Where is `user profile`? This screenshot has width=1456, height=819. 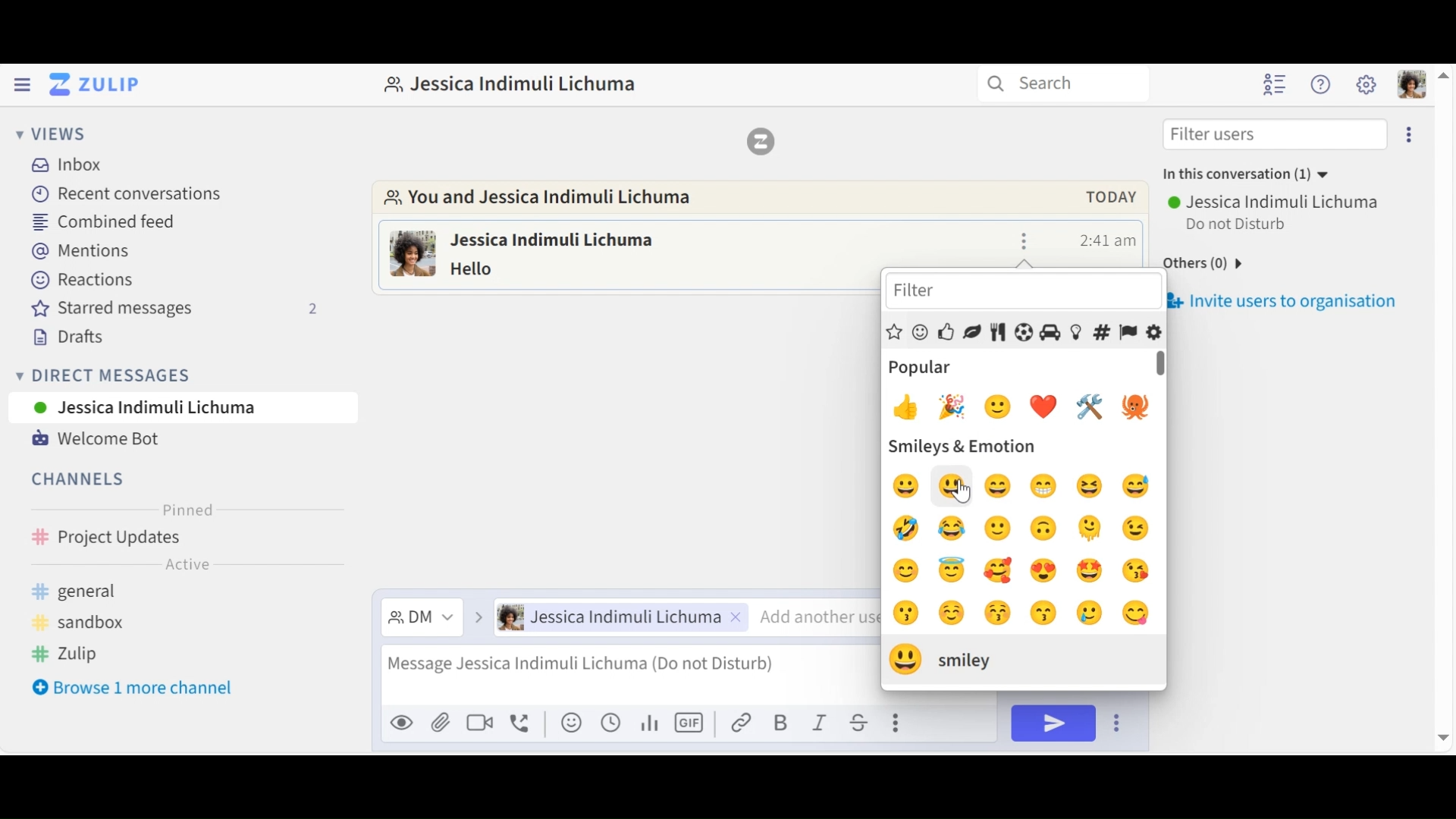 user profile is located at coordinates (413, 256).